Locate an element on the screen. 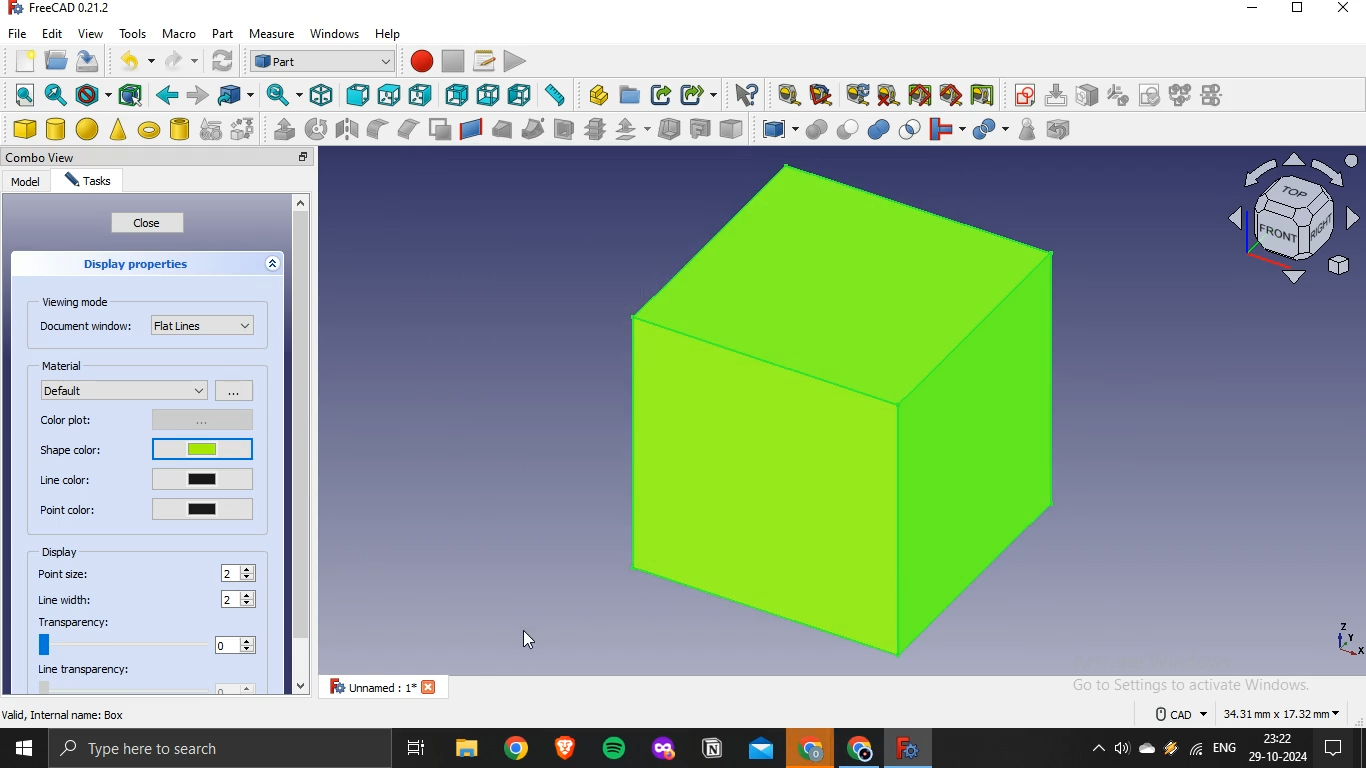 The image size is (1366, 768). open file is located at coordinates (54, 59).